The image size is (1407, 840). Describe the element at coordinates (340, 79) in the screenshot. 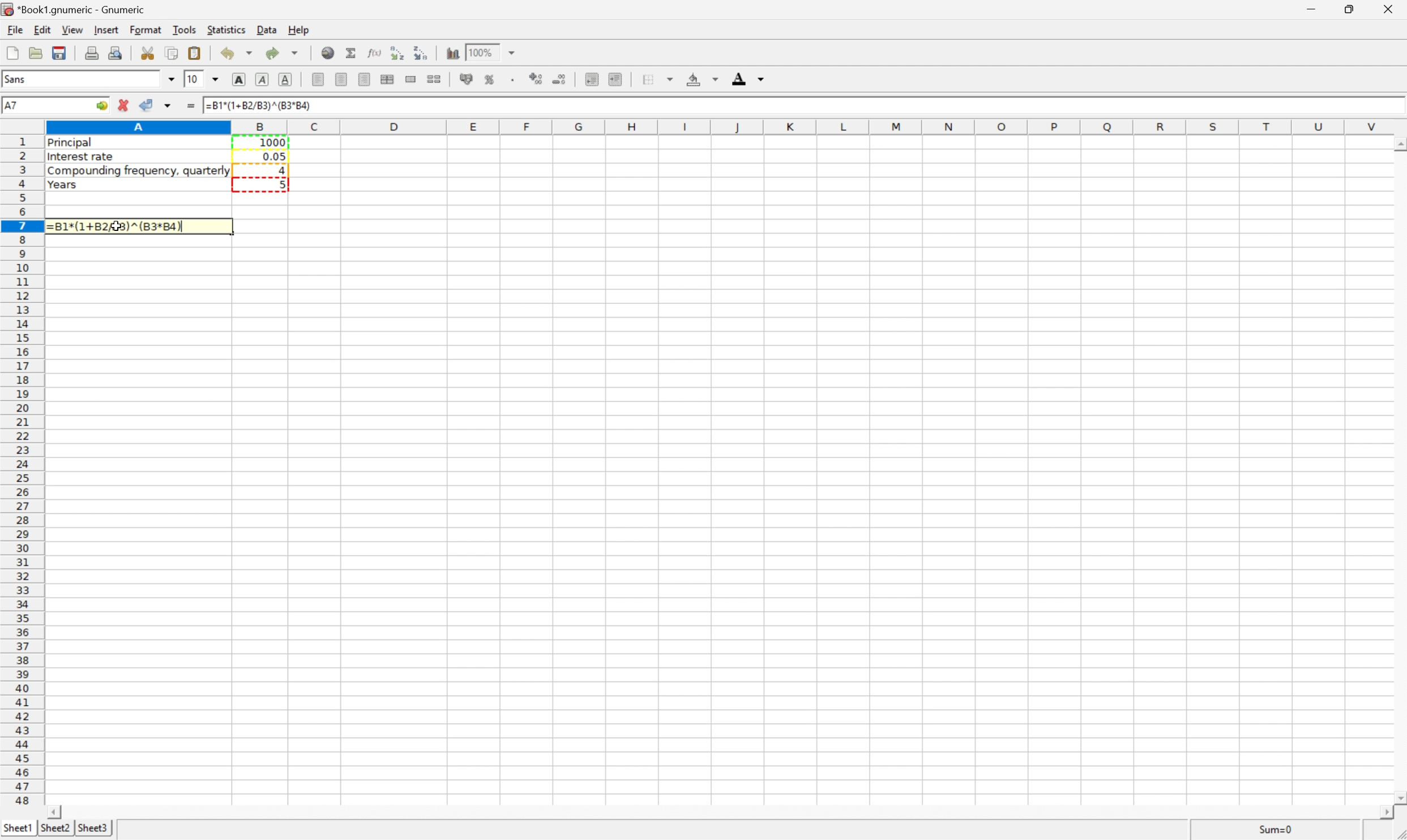

I see `center horizontally` at that location.